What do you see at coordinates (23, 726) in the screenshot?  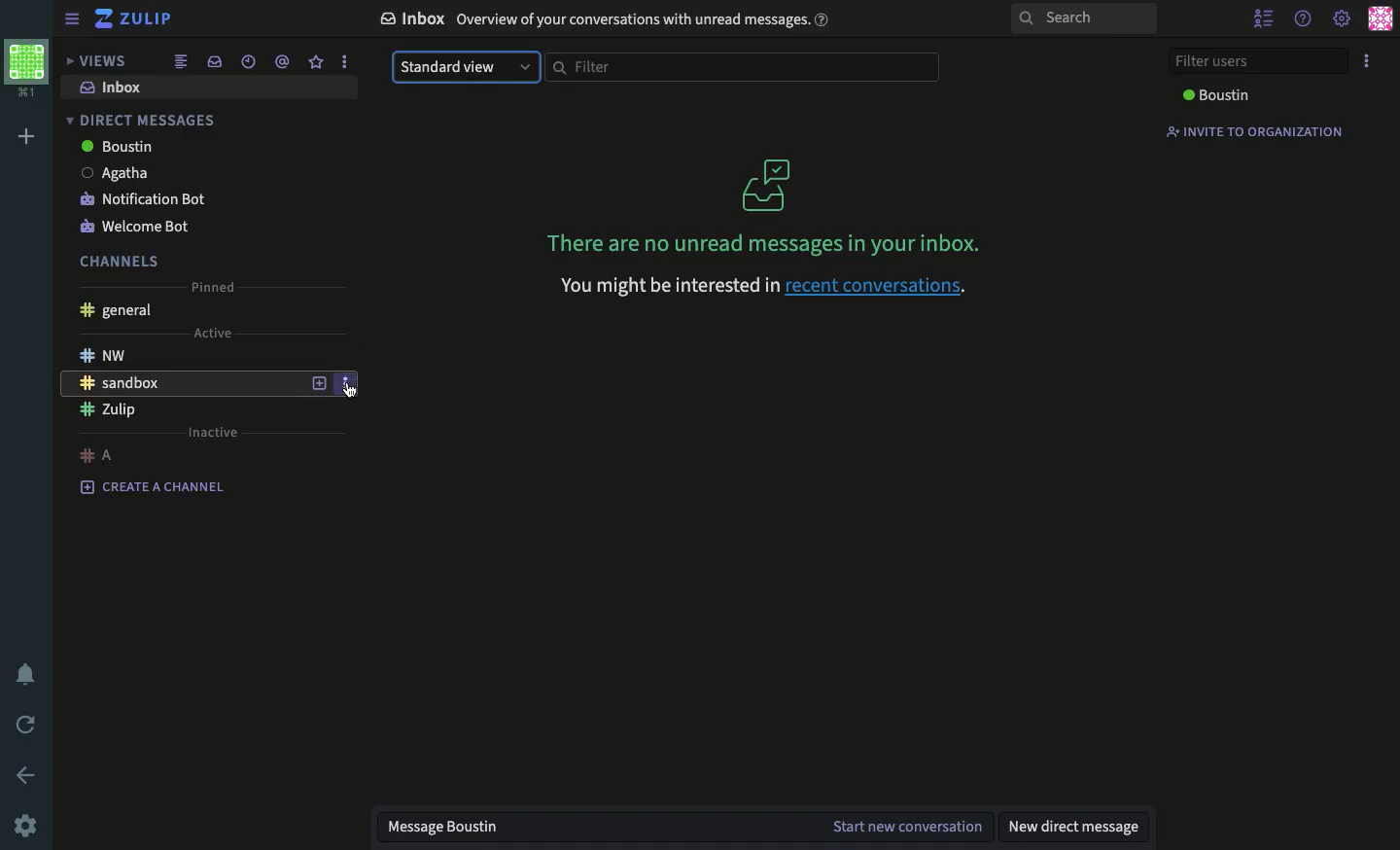 I see `refresh` at bounding box center [23, 726].